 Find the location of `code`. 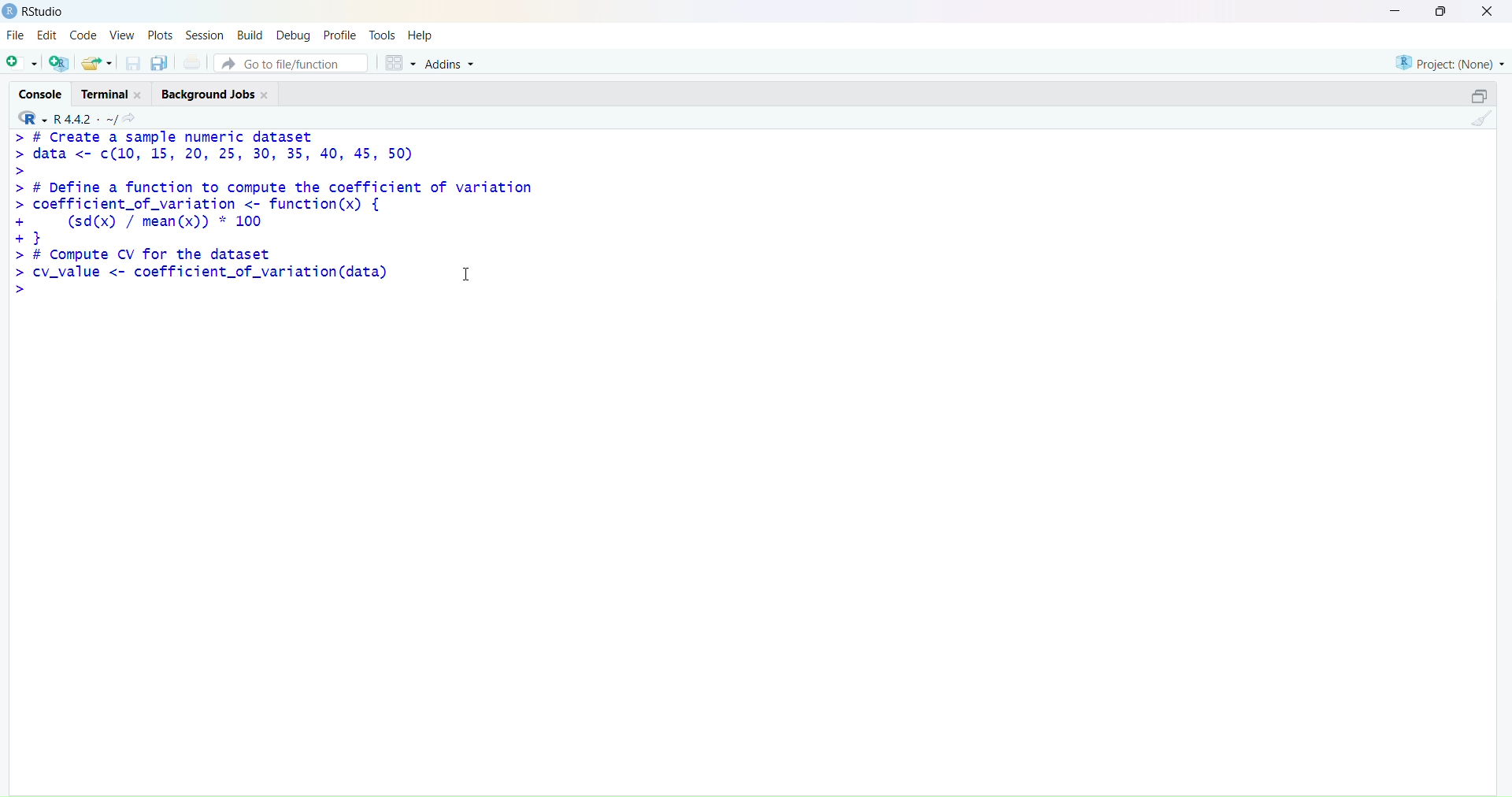

code is located at coordinates (83, 35).